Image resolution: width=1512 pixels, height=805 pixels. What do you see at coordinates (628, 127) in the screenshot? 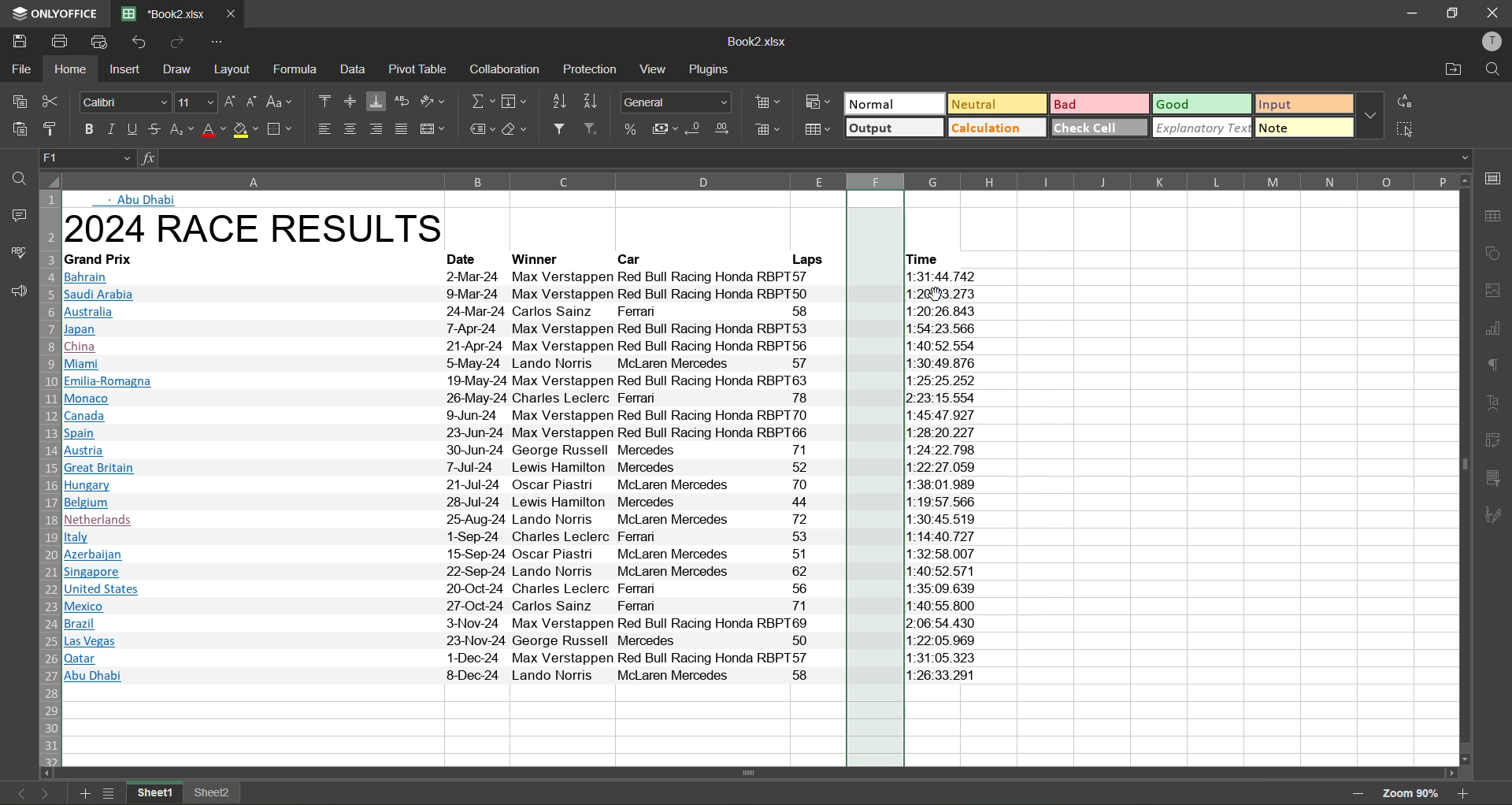
I see `percent` at bounding box center [628, 127].